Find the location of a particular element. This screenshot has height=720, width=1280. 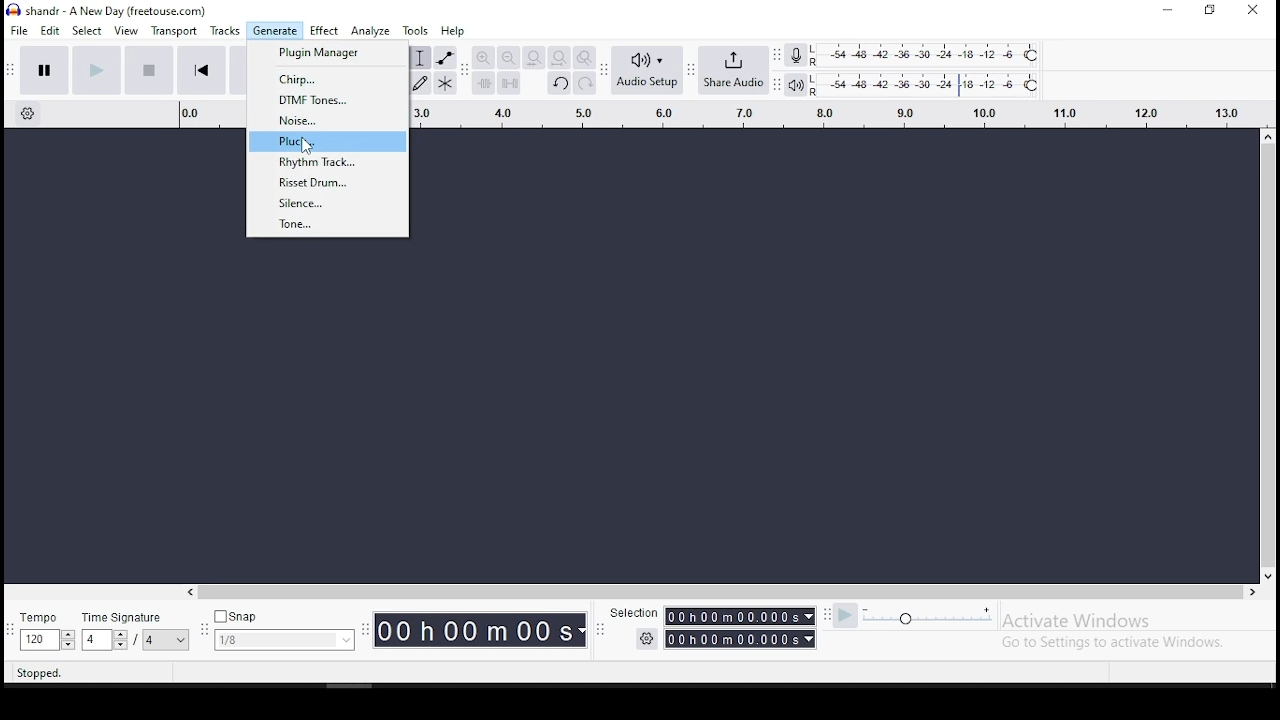

time signature is located at coordinates (135, 627).